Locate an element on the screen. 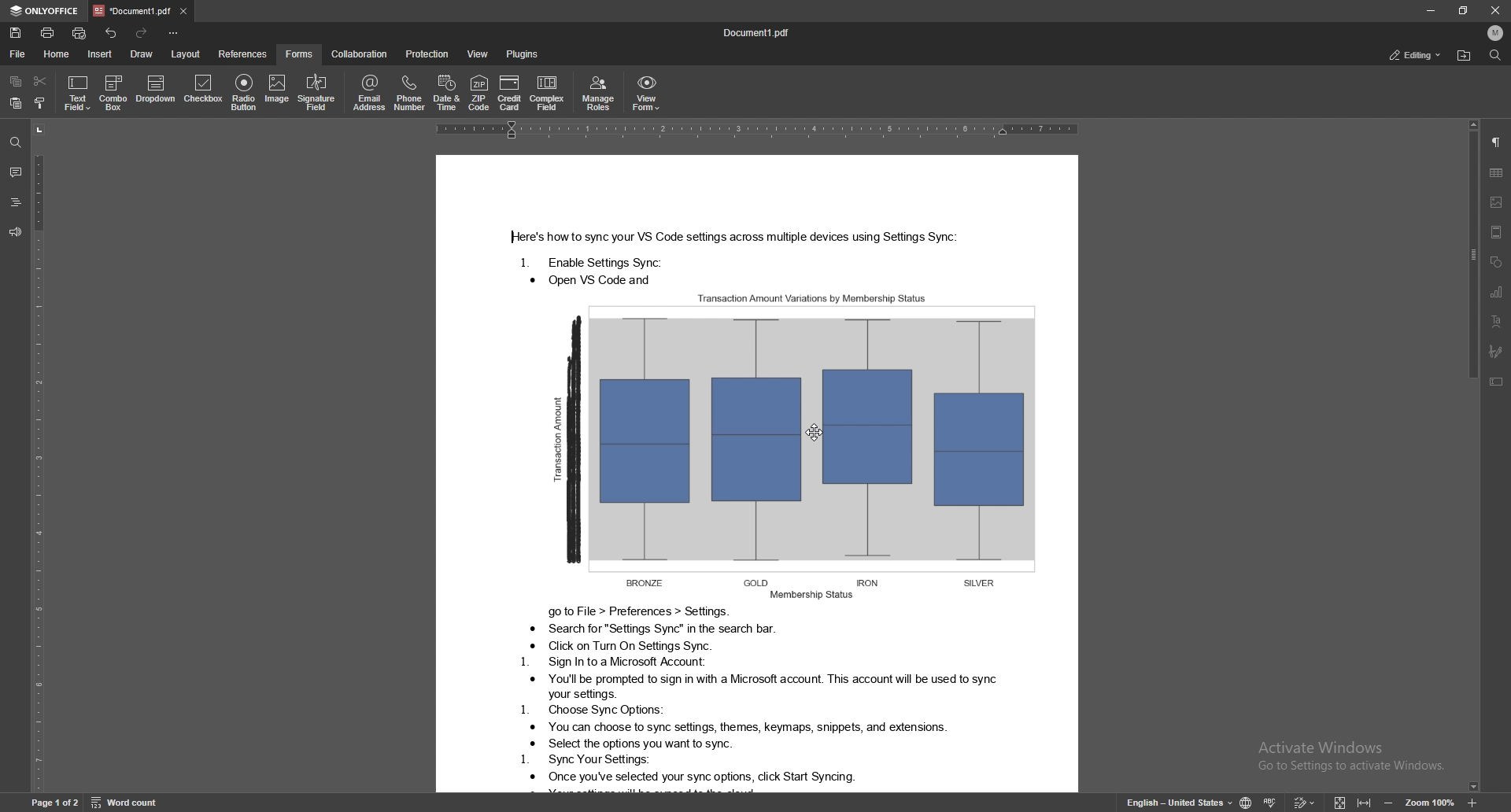  layout is located at coordinates (186, 54).